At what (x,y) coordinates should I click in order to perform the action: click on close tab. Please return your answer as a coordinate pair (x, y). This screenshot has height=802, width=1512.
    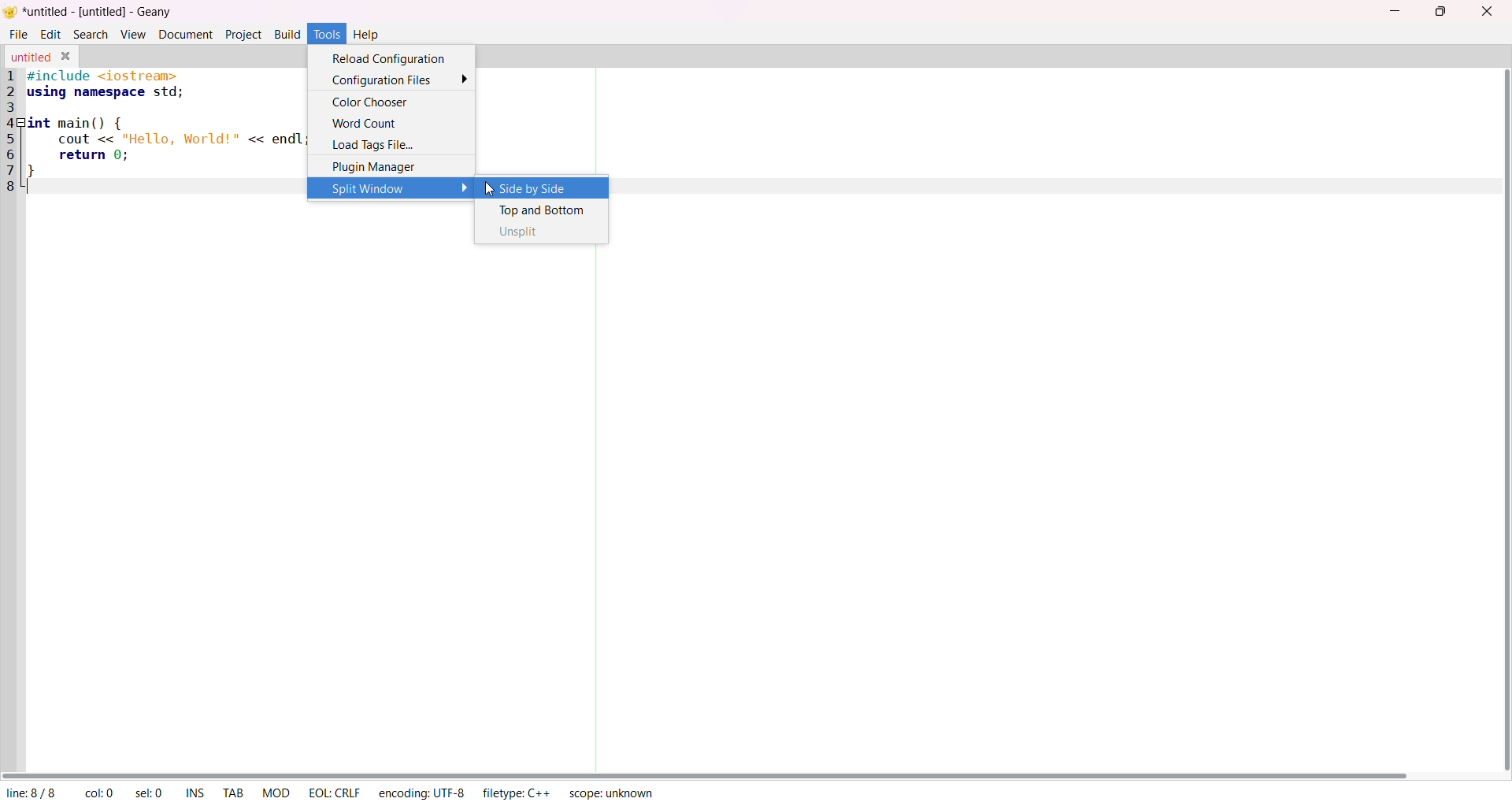
    Looking at the image, I should click on (67, 57).